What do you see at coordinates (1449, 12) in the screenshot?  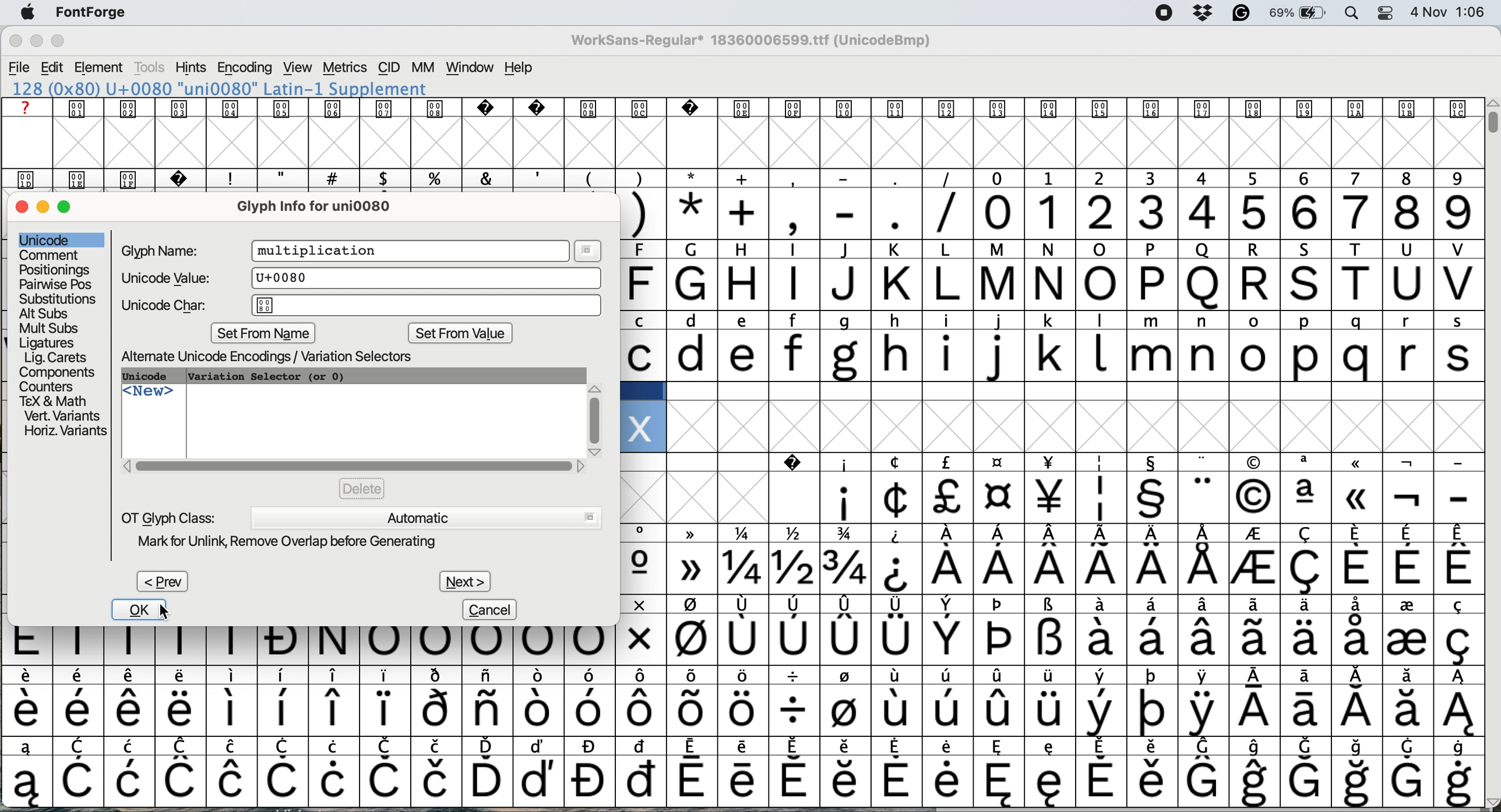 I see `date and time` at bounding box center [1449, 12].